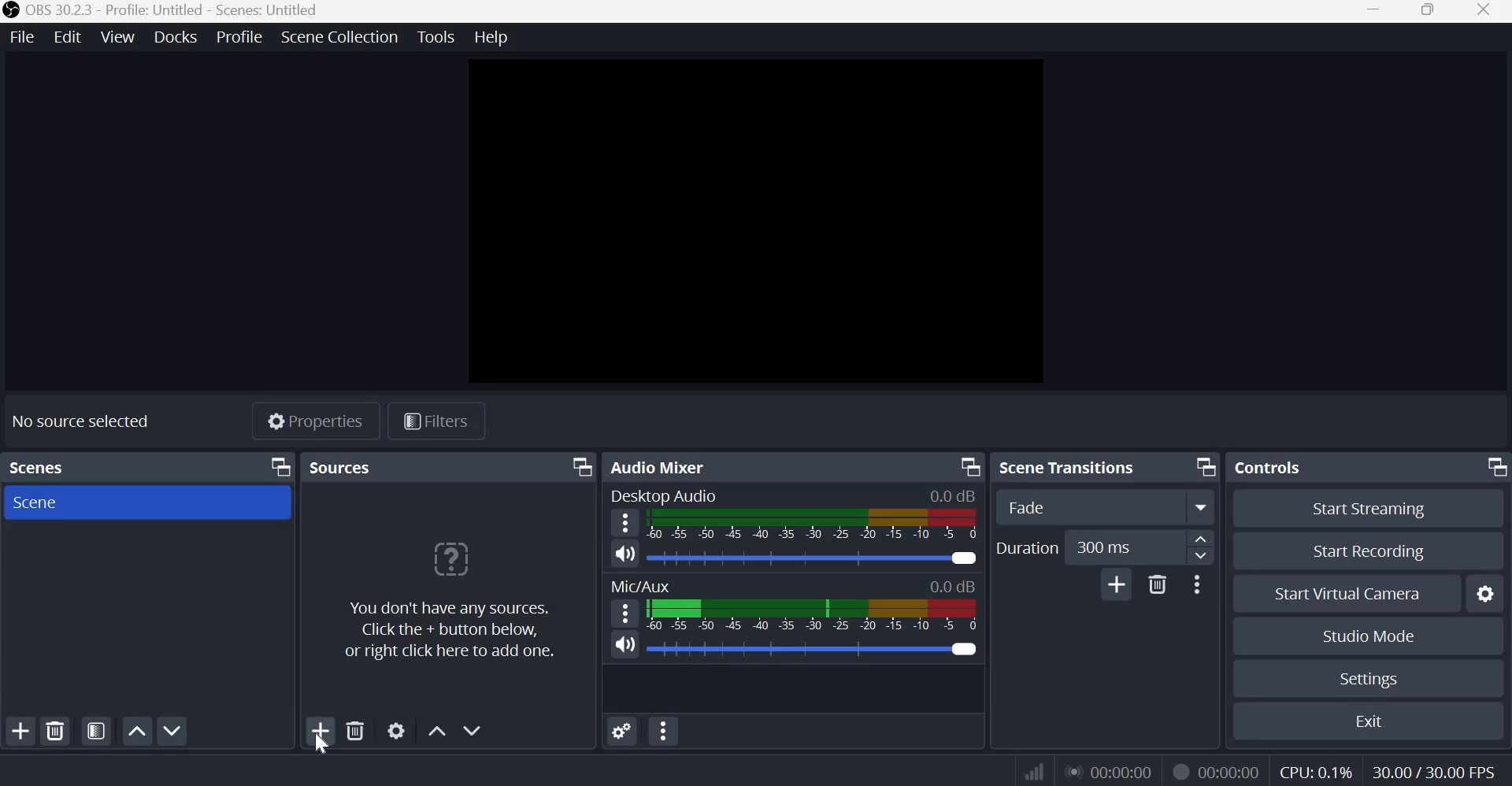 The height and width of the screenshot is (786, 1512). What do you see at coordinates (1118, 547) in the screenshot?
I see `300 ms` at bounding box center [1118, 547].